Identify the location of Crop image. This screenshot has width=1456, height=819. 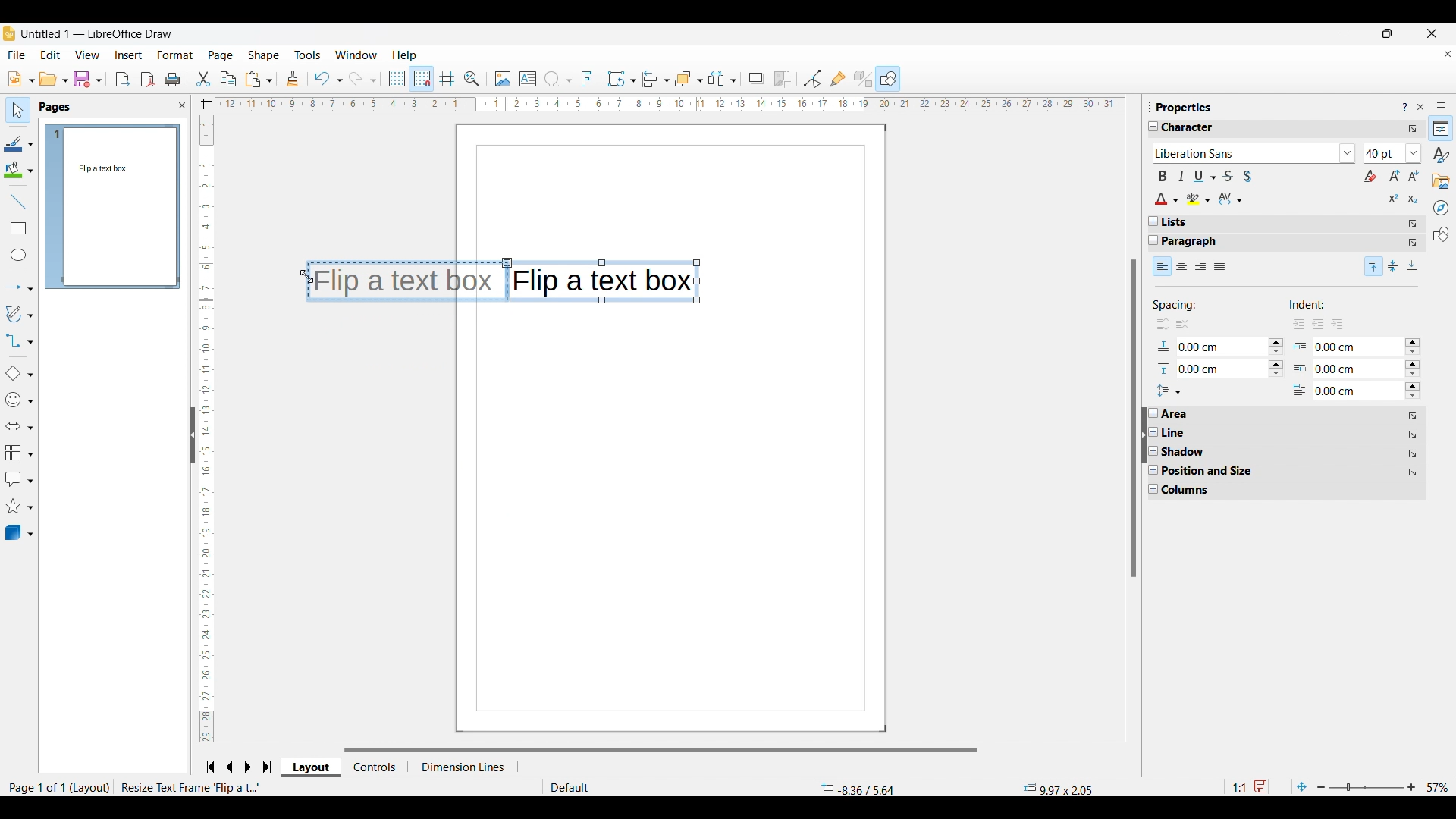
(783, 80).